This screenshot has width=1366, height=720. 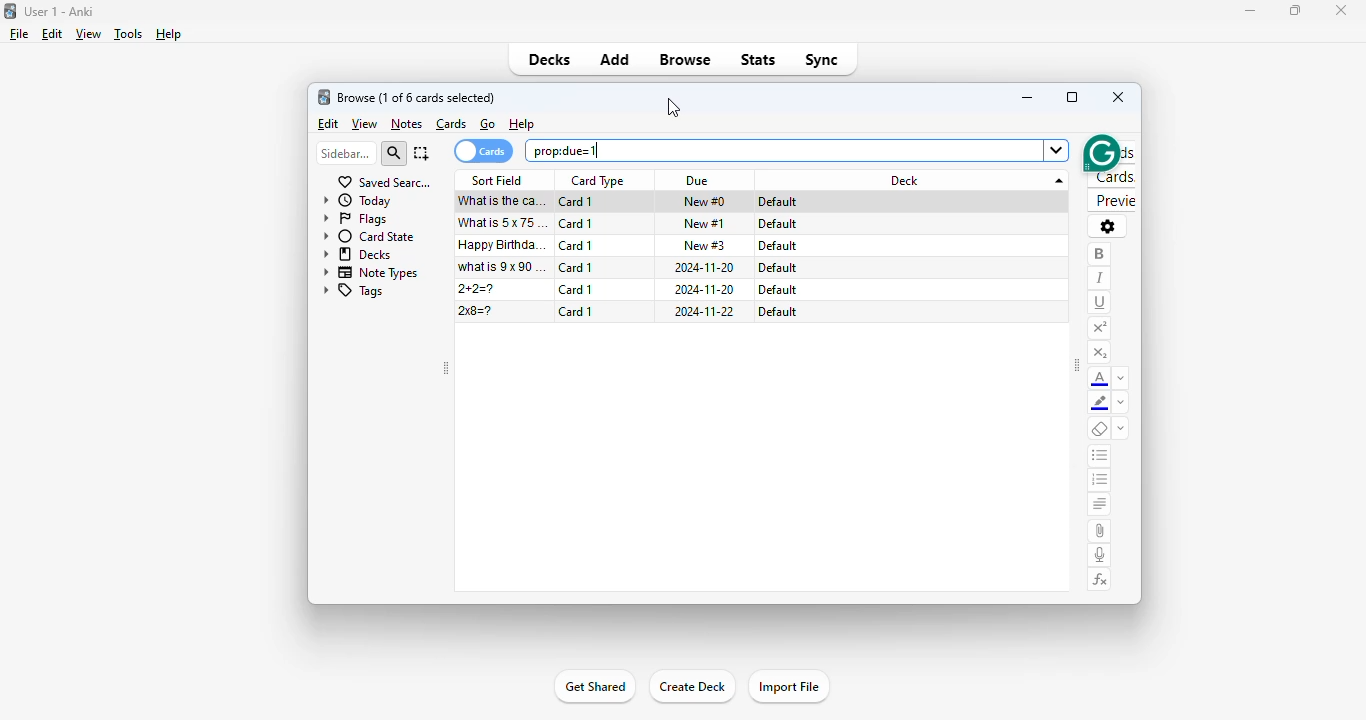 What do you see at coordinates (1100, 403) in the screenshot?
I see `text highlighting color` at bounding box center [1100, 403].